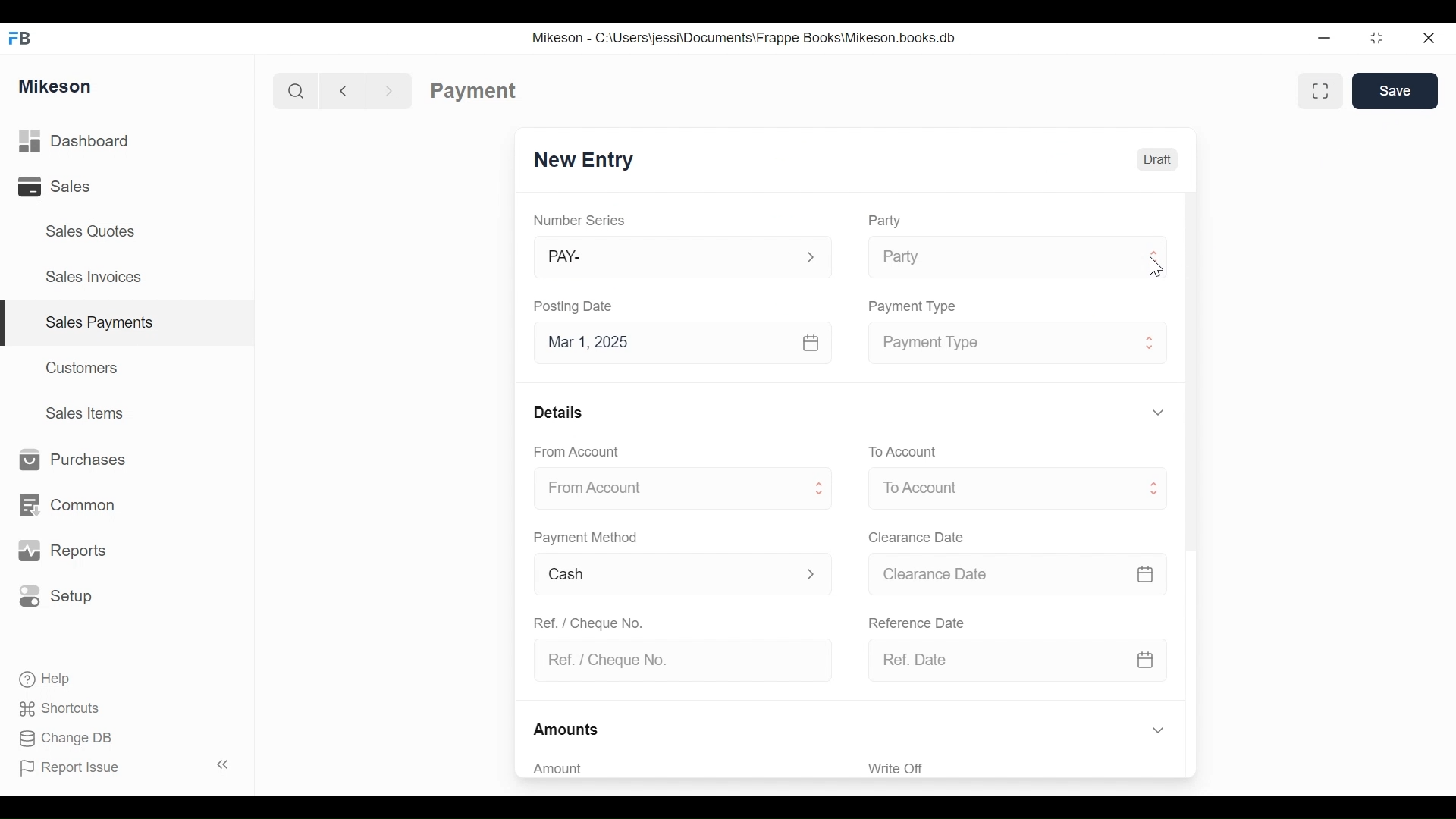 The height and width of the screenshot is (819, 1456). I want to click on Sales Items, so click(92, 414).